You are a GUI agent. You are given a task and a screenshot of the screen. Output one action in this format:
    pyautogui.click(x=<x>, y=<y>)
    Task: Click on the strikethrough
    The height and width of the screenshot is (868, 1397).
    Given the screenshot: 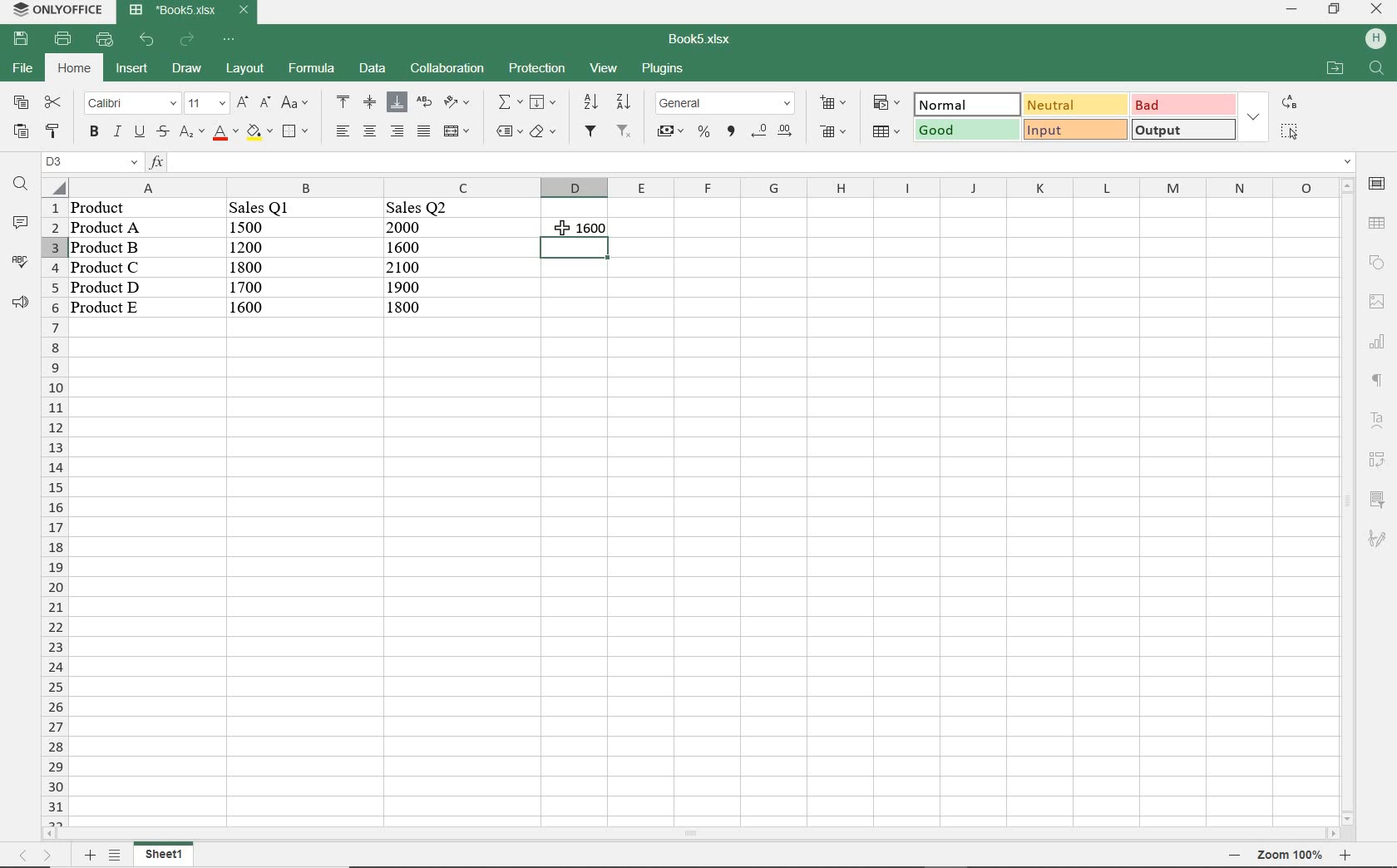 What is the action you would take?
    pyautogui.click(x=161, y=131)
    